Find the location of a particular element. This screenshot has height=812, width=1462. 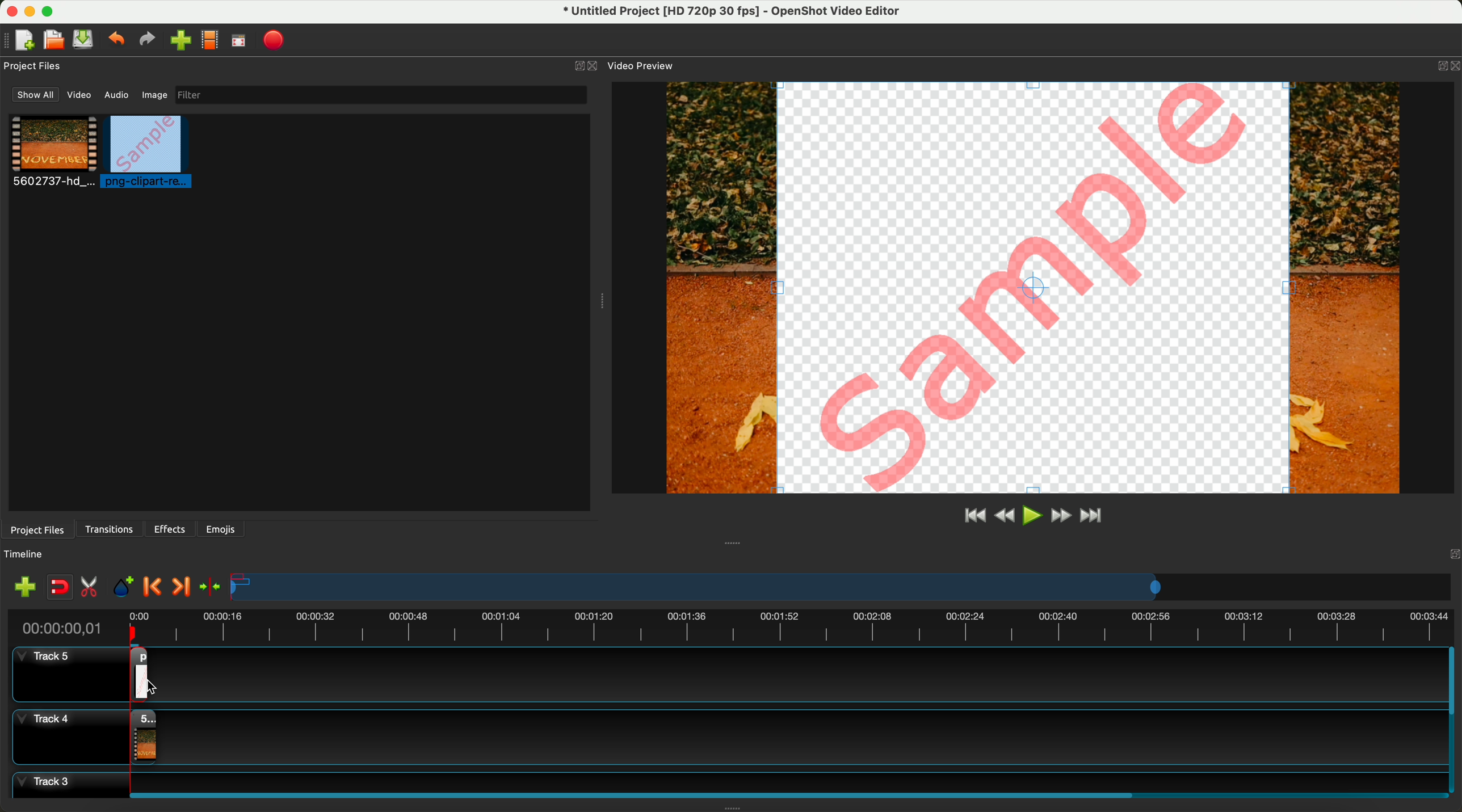

full screen is located at coordinates (240, 43).